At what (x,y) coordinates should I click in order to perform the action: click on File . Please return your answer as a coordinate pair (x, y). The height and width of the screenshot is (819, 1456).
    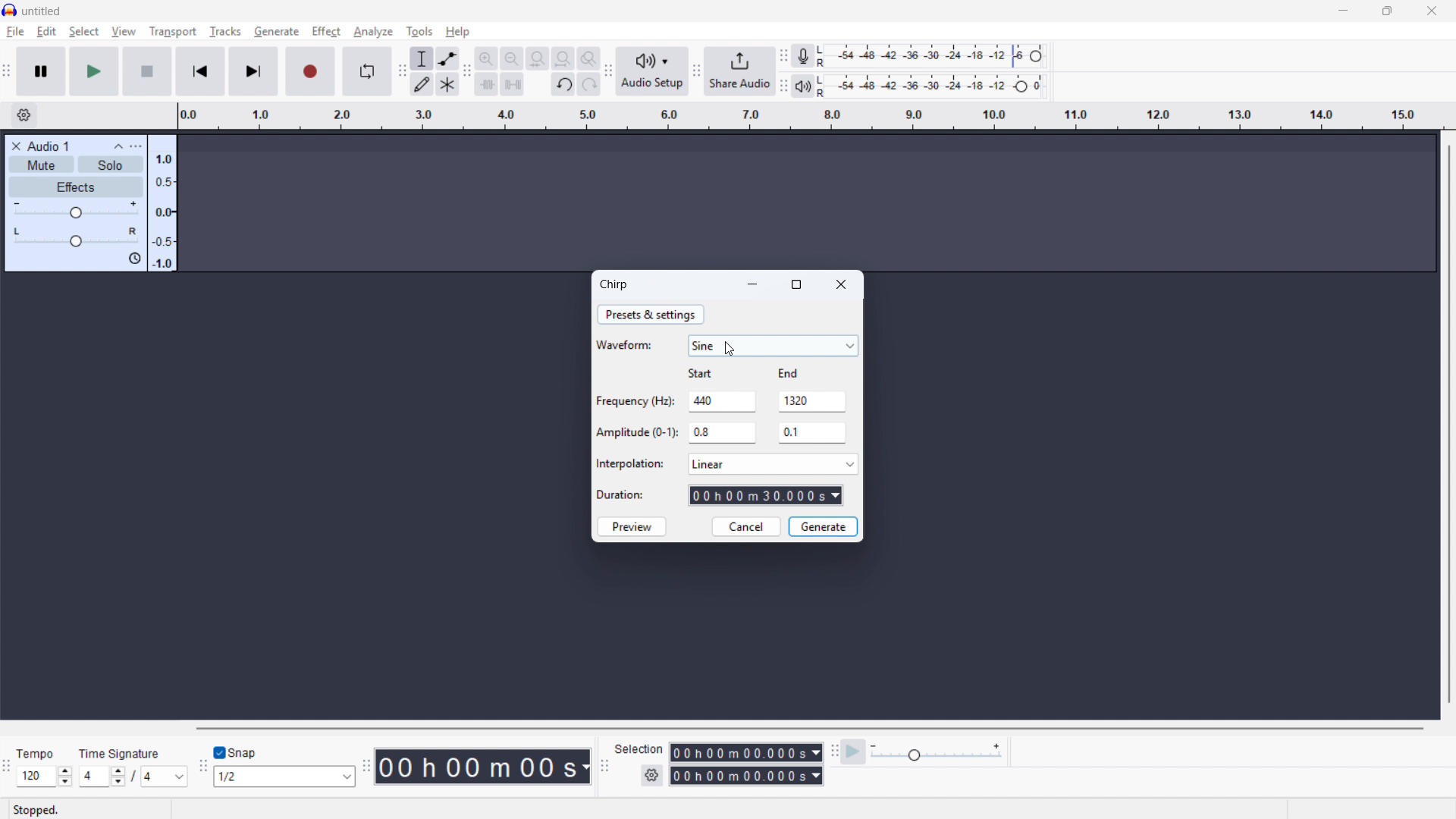
    Looking at the image, I should click on (15, 33).